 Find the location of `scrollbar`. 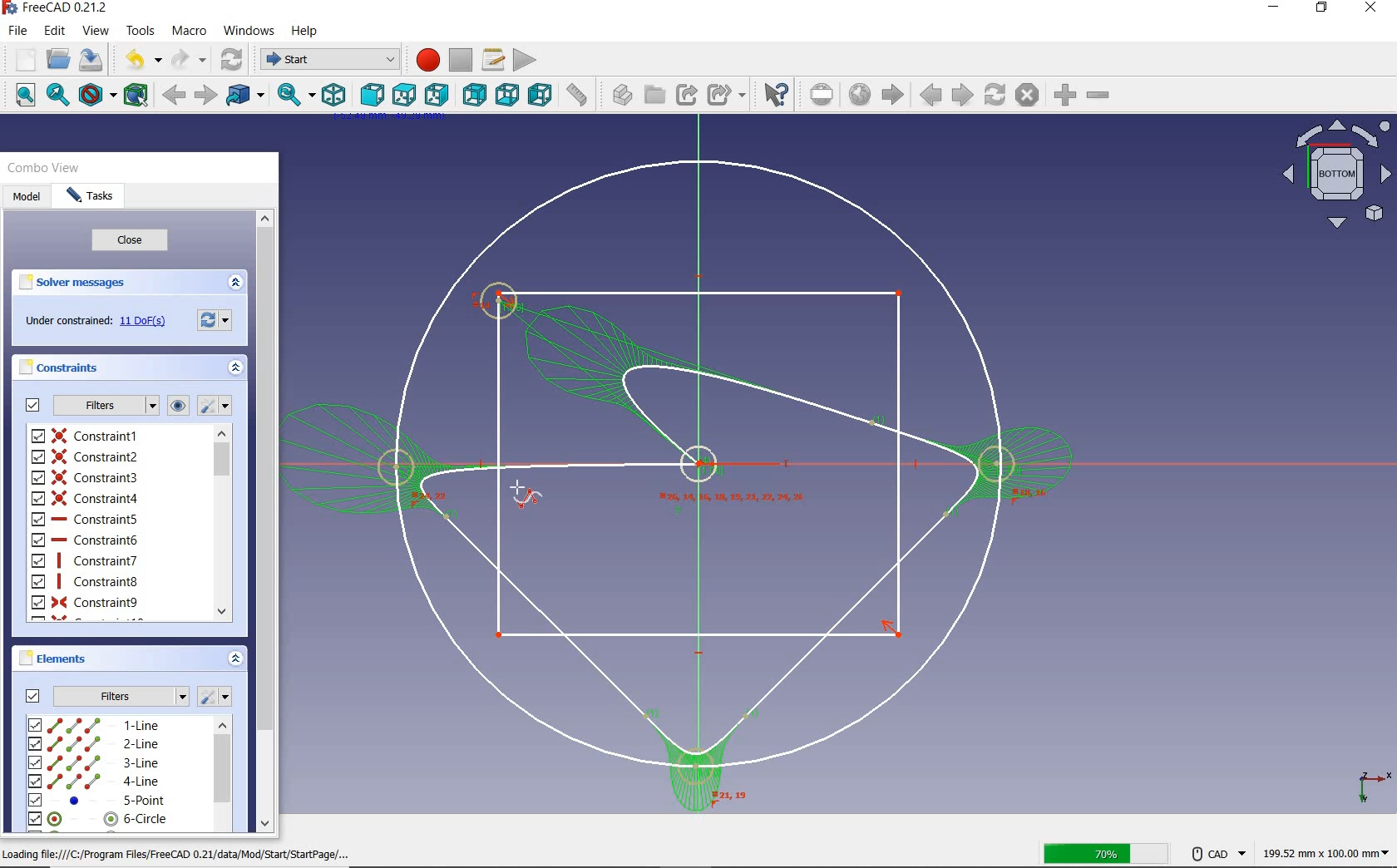

scrollbar is located at coordinates (265, 519).